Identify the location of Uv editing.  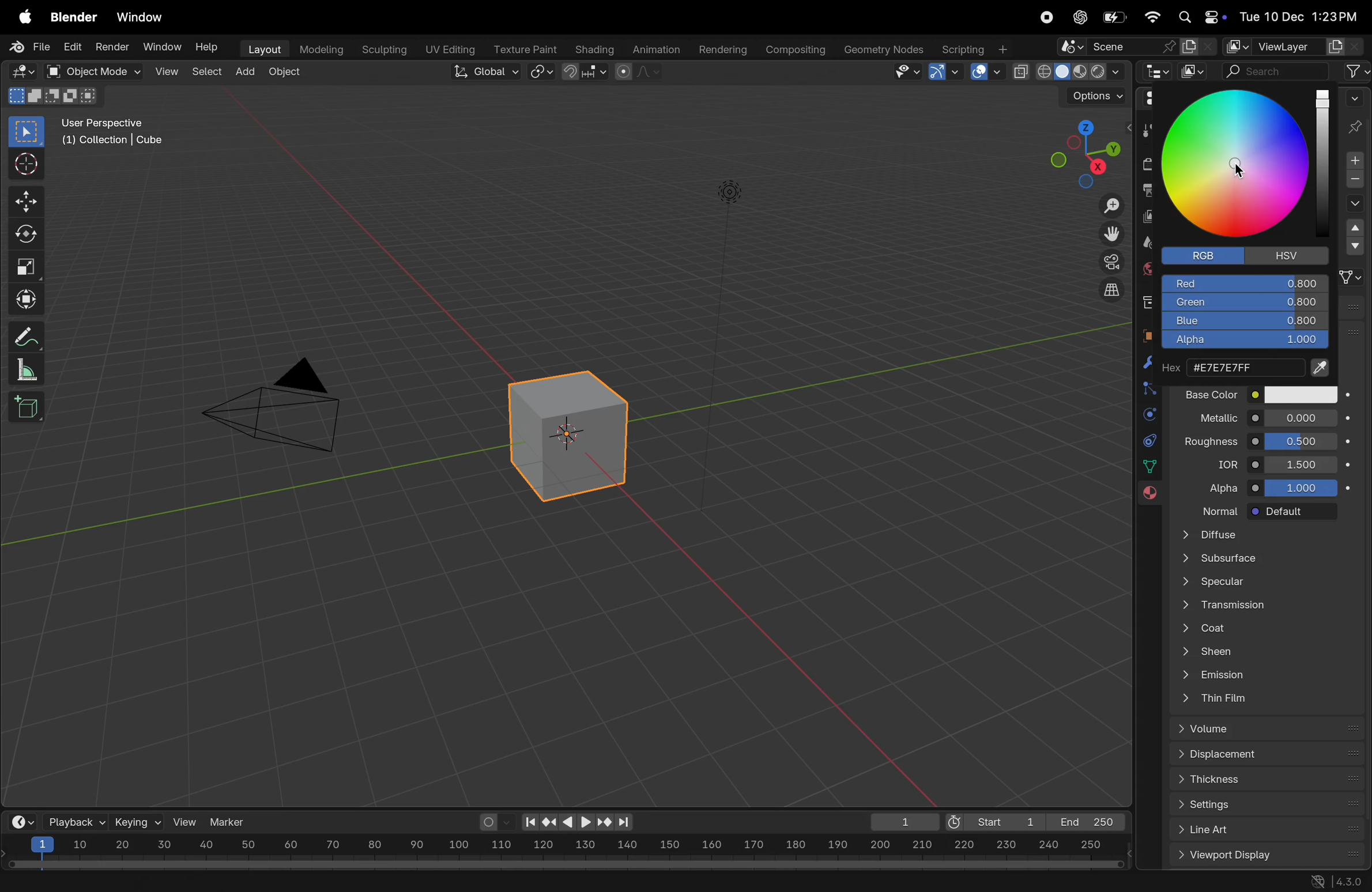
(446, 47).